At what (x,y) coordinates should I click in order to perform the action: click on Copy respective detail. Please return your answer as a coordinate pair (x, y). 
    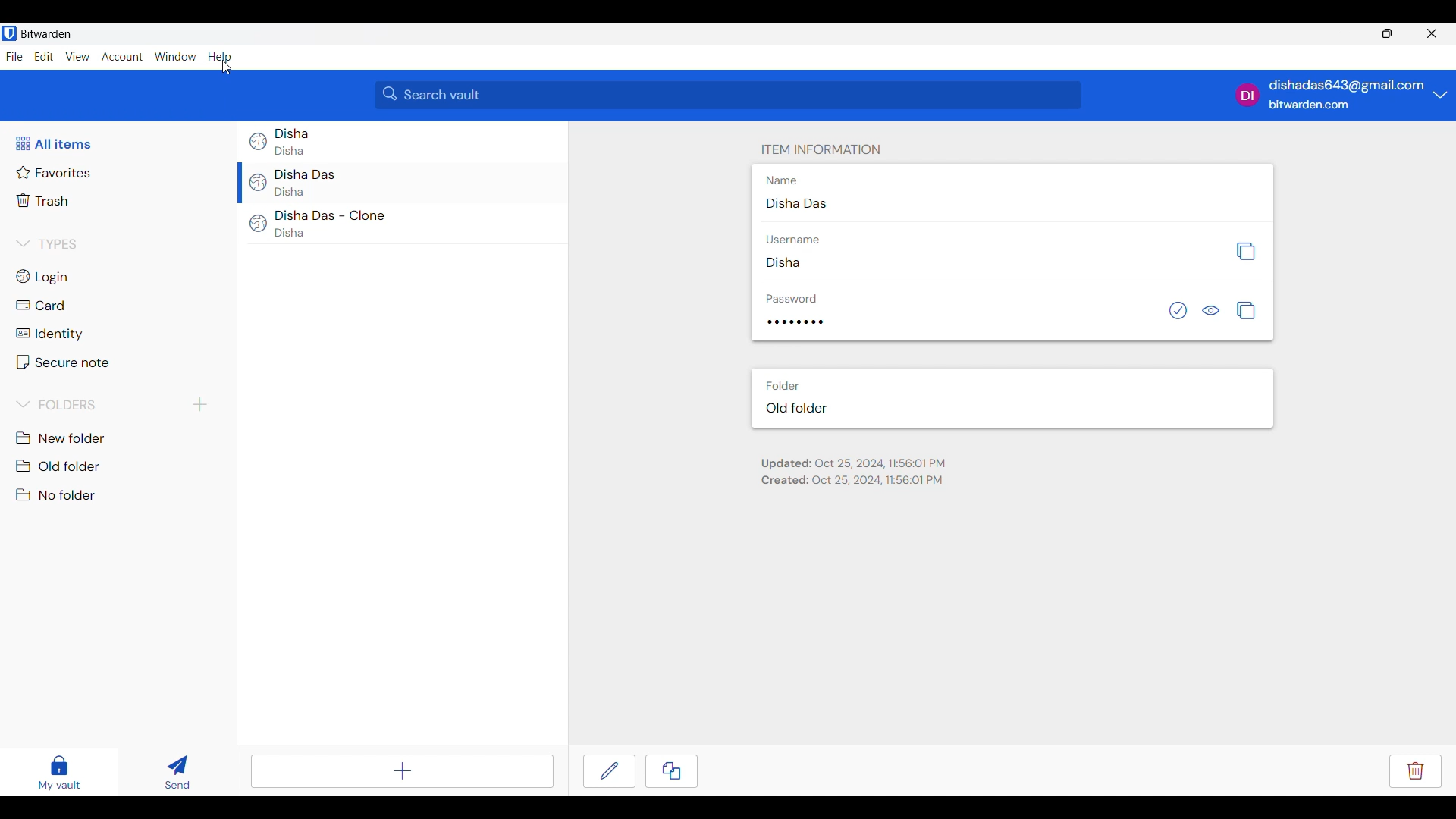
    Looking at the image, I should click on (1245, 252).